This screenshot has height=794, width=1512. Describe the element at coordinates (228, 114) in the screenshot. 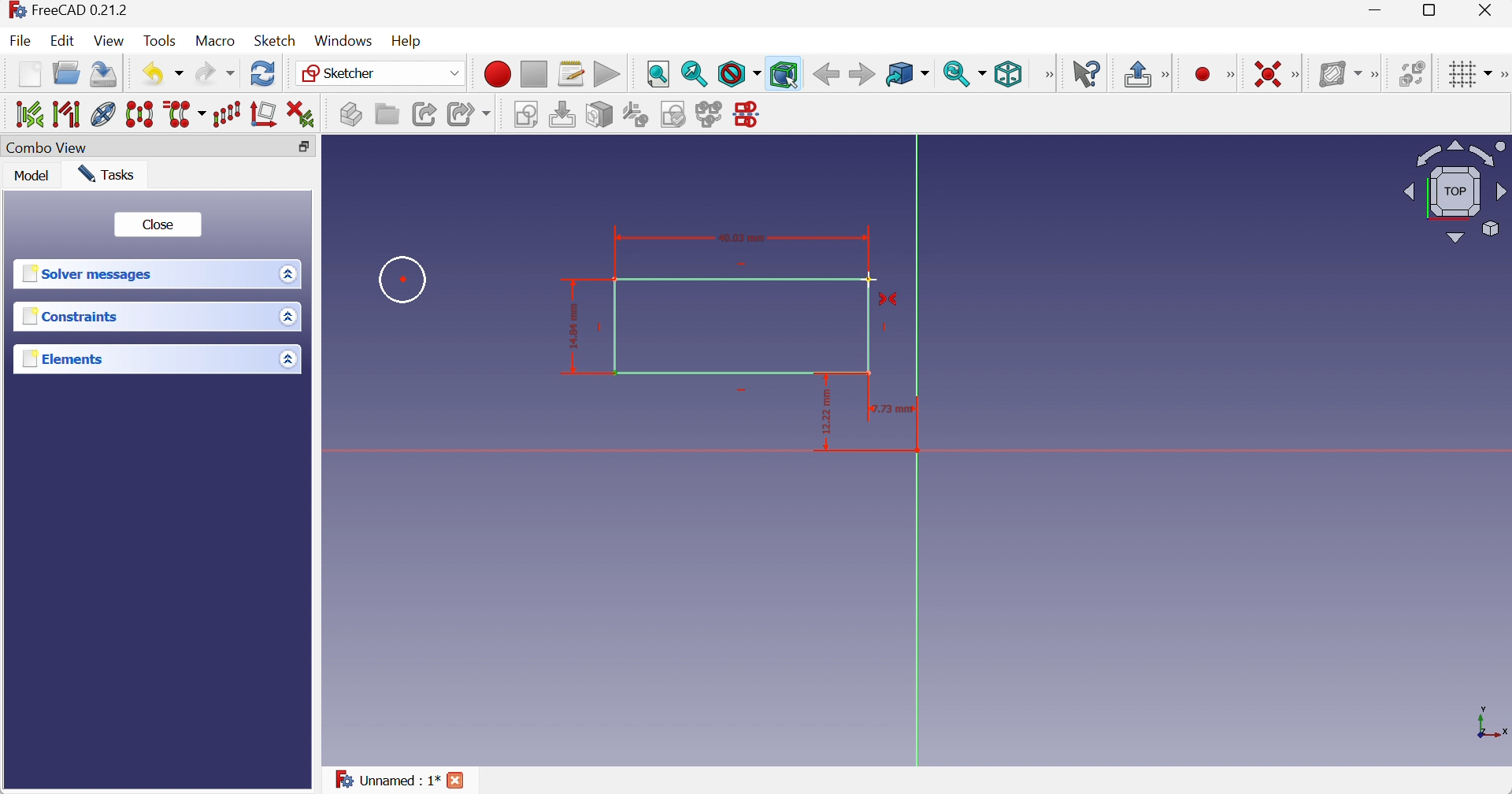

I see `Rectangular array` at that location.